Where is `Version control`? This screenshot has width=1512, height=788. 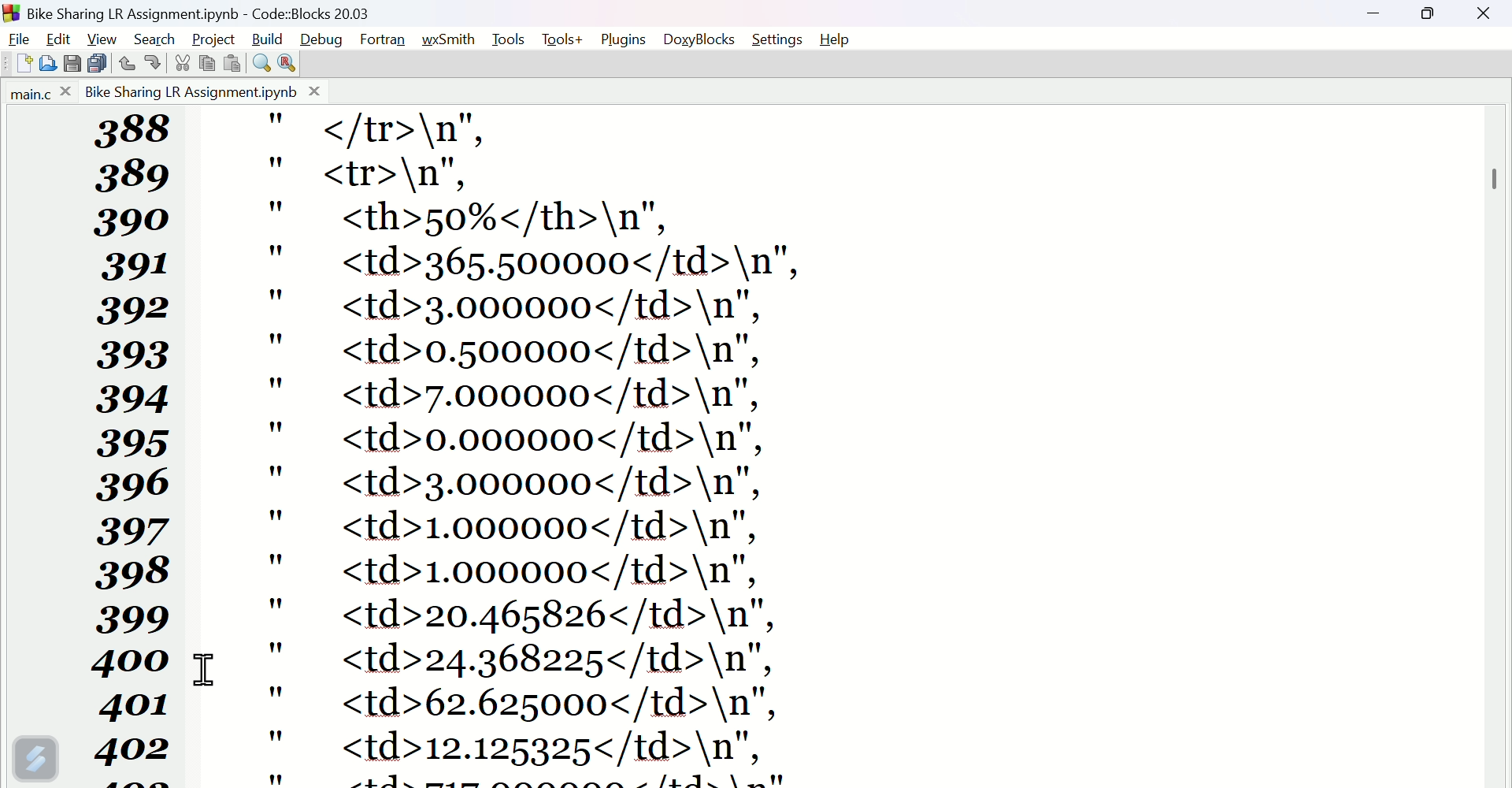
Version control is located at coordinates (35, 758).